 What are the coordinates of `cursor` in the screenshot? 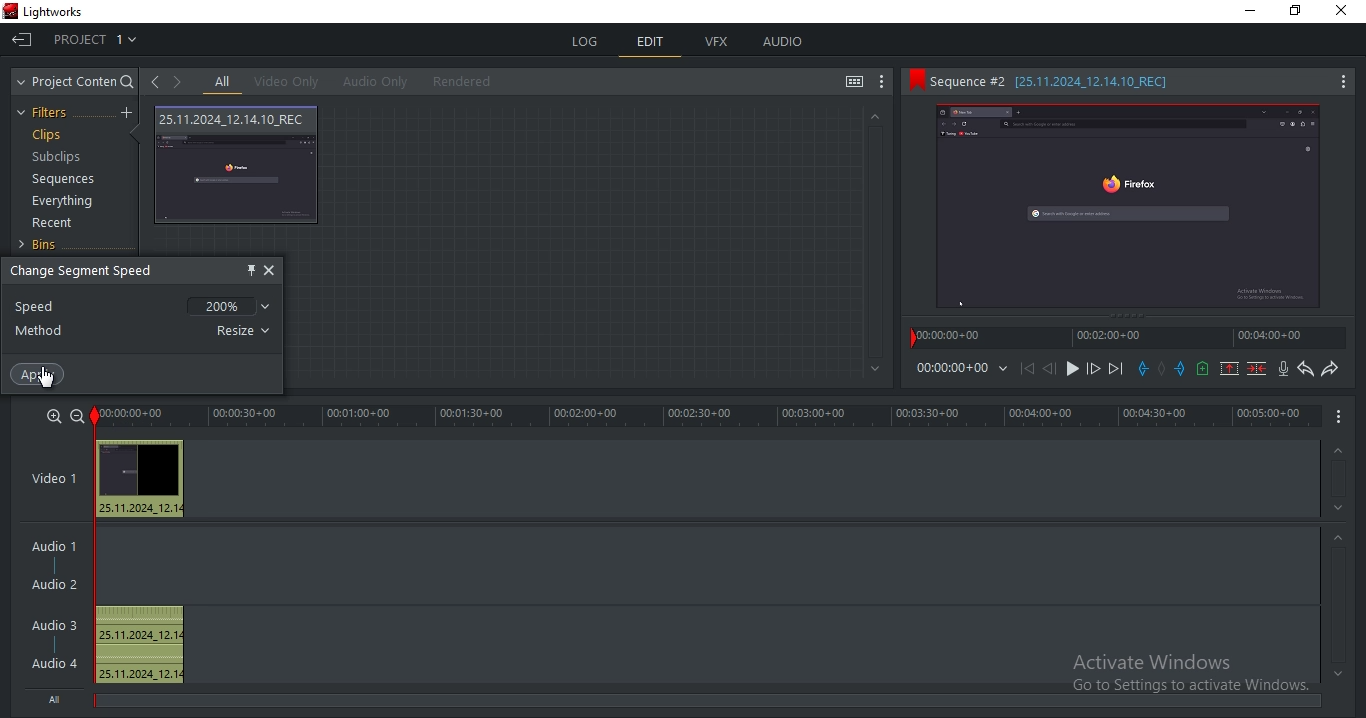 It's located at (44, 378).